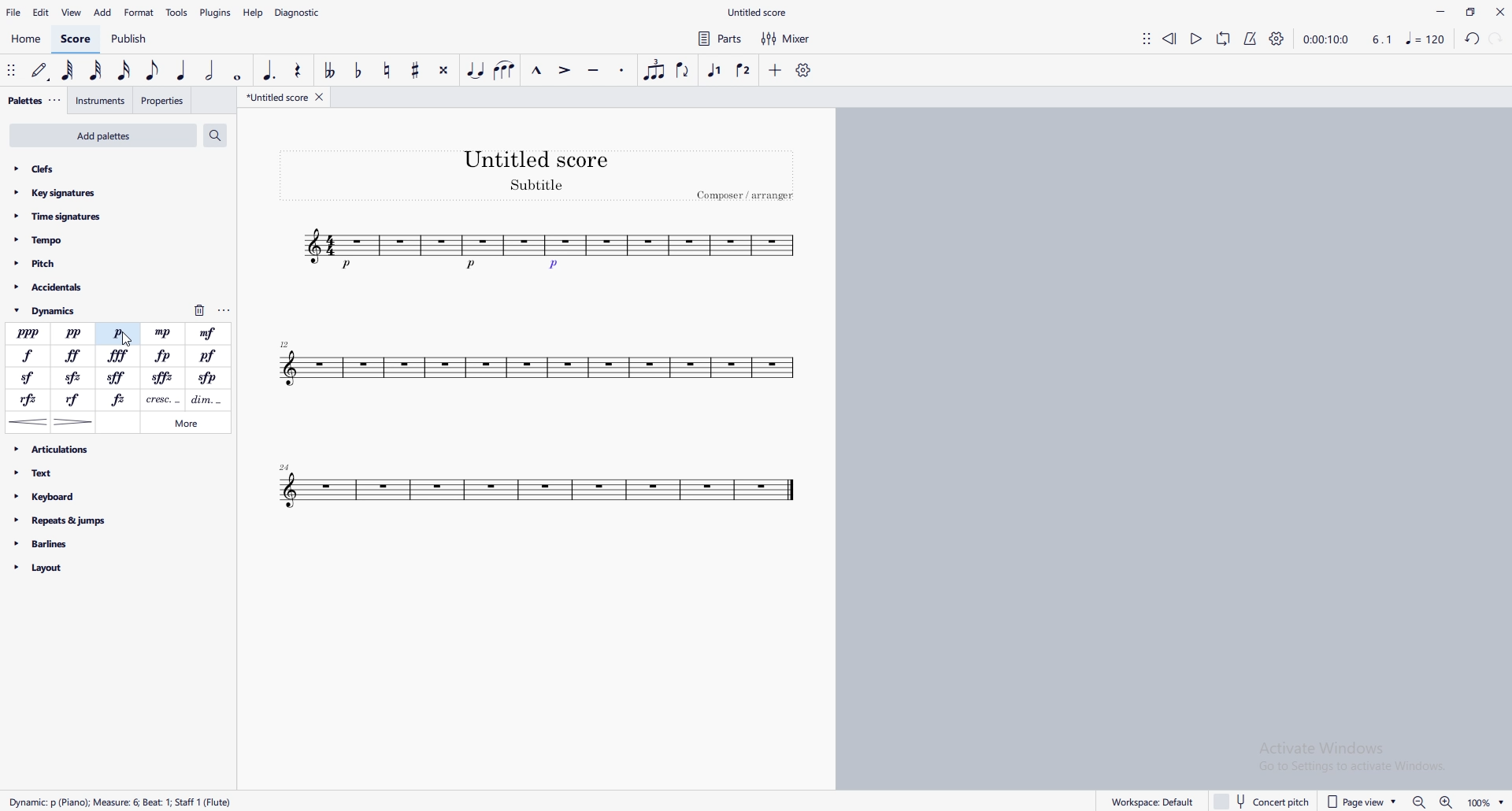  Describe the element at coordinates (1222, 38) in the screenshot. I see `loop playback` at that location.